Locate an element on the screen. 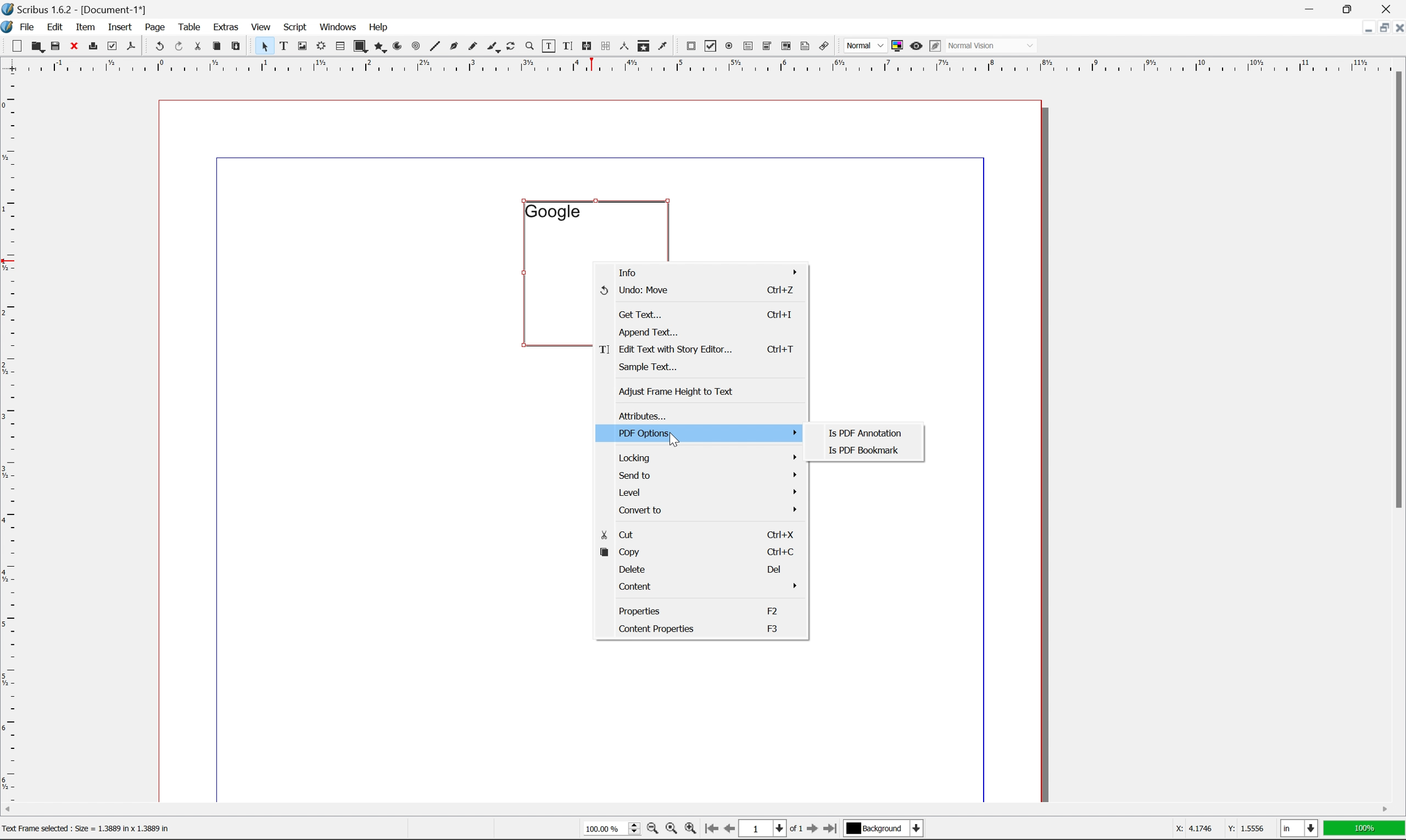 The width and height of the screenshot is (1406, 840). link text frames is located at coordinates (585, 46).